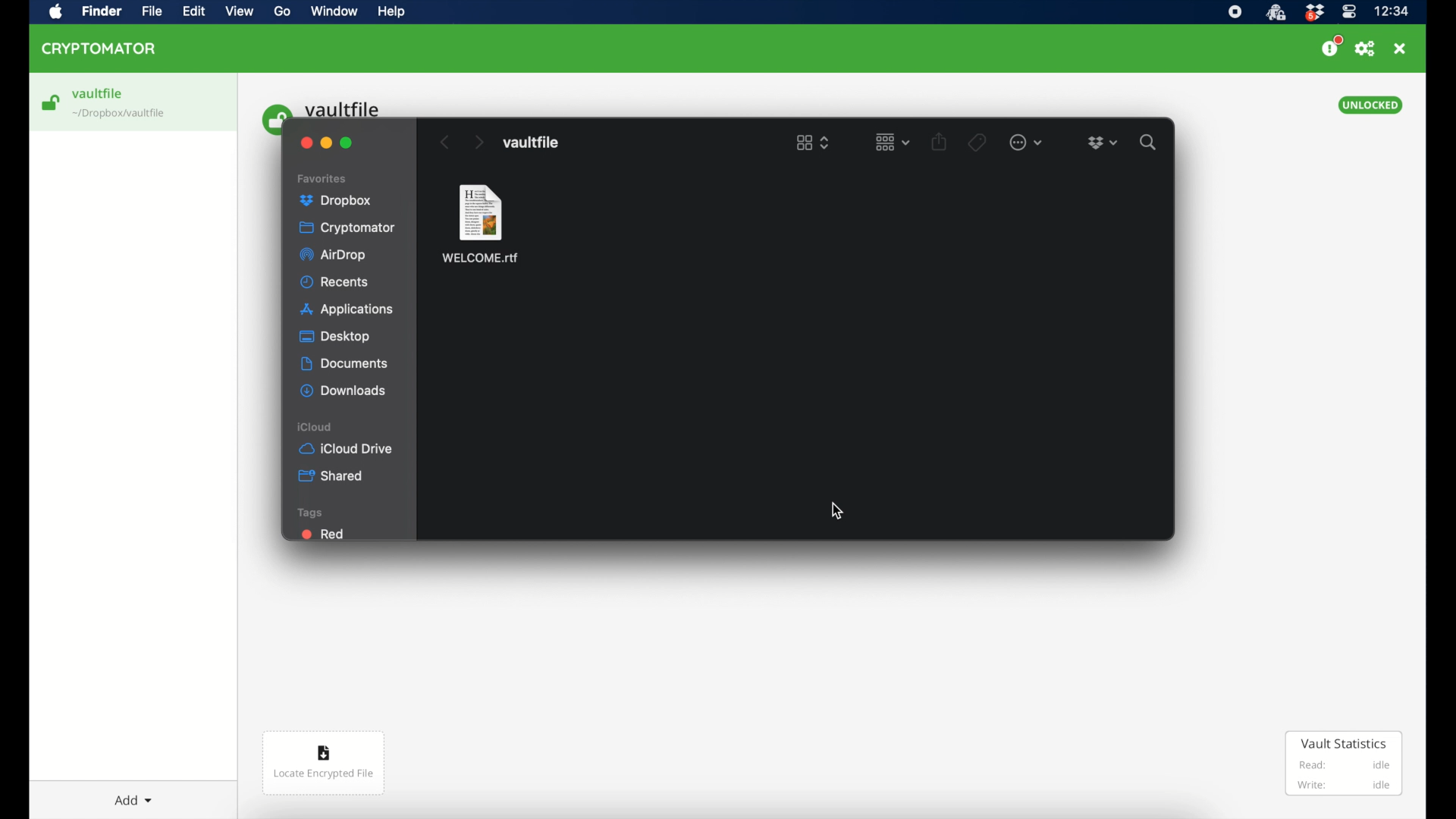 This screenshot has height=819, width=1456. I want to click on vaultfile, so click(133, 101).